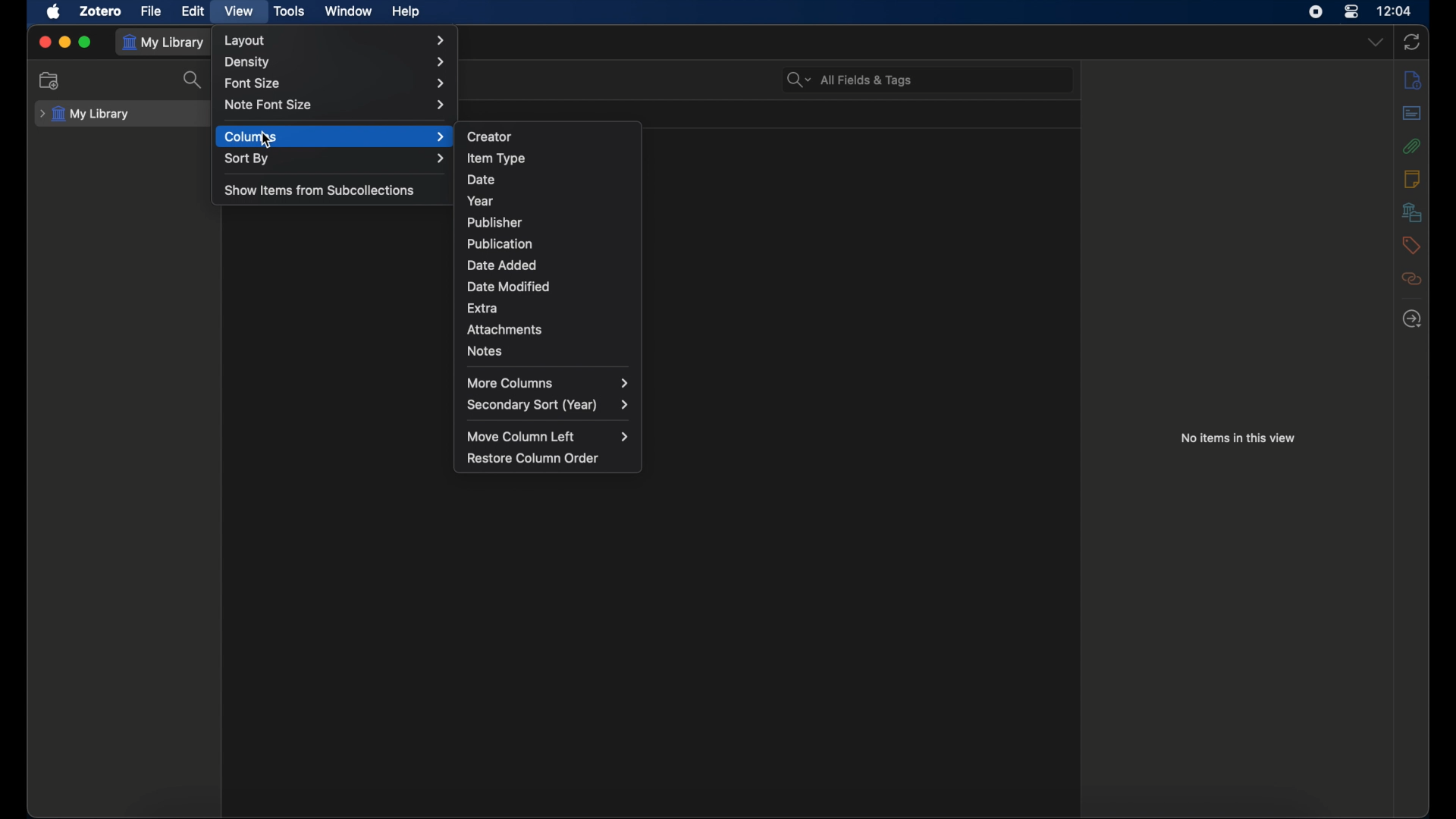 The image size is (1456, 819). What do you see at coordinates (335, 136) in the screenshot?
I see `columns` at bounding box center [335, 136].